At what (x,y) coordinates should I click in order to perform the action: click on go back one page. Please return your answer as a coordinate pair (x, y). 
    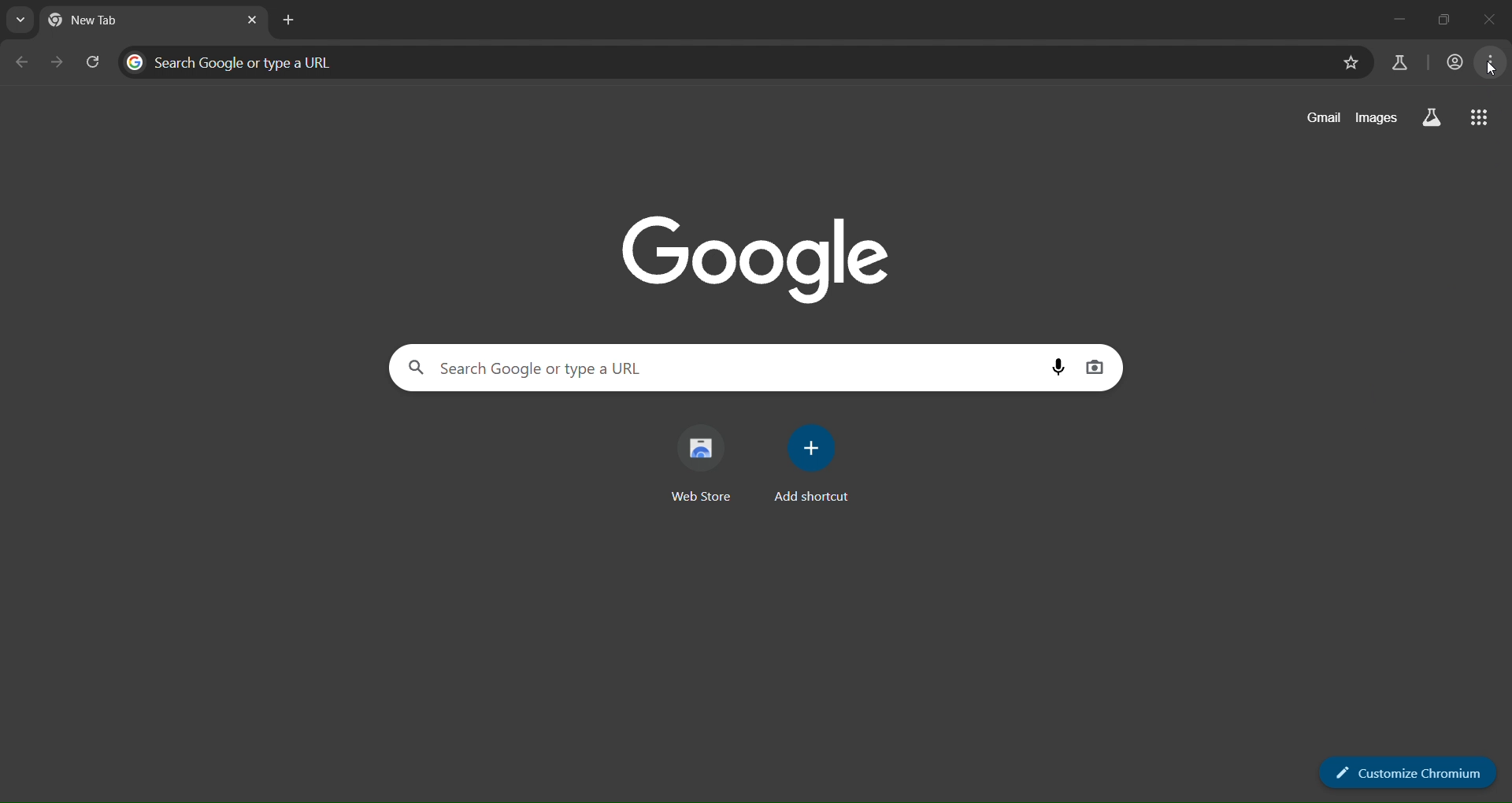
    Looking at the image, I should click on (22, 61).